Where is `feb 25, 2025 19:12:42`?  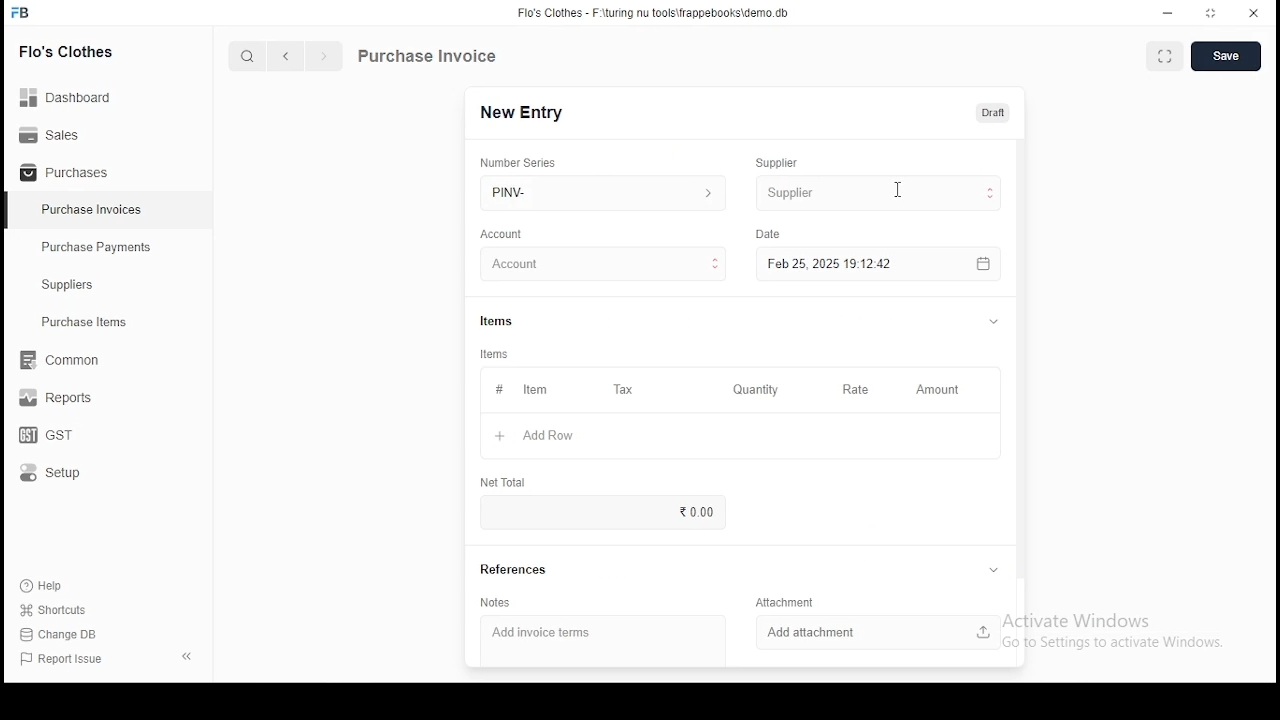
feb 25, 2025 19:12:42 is located at coordinates (877, 264).